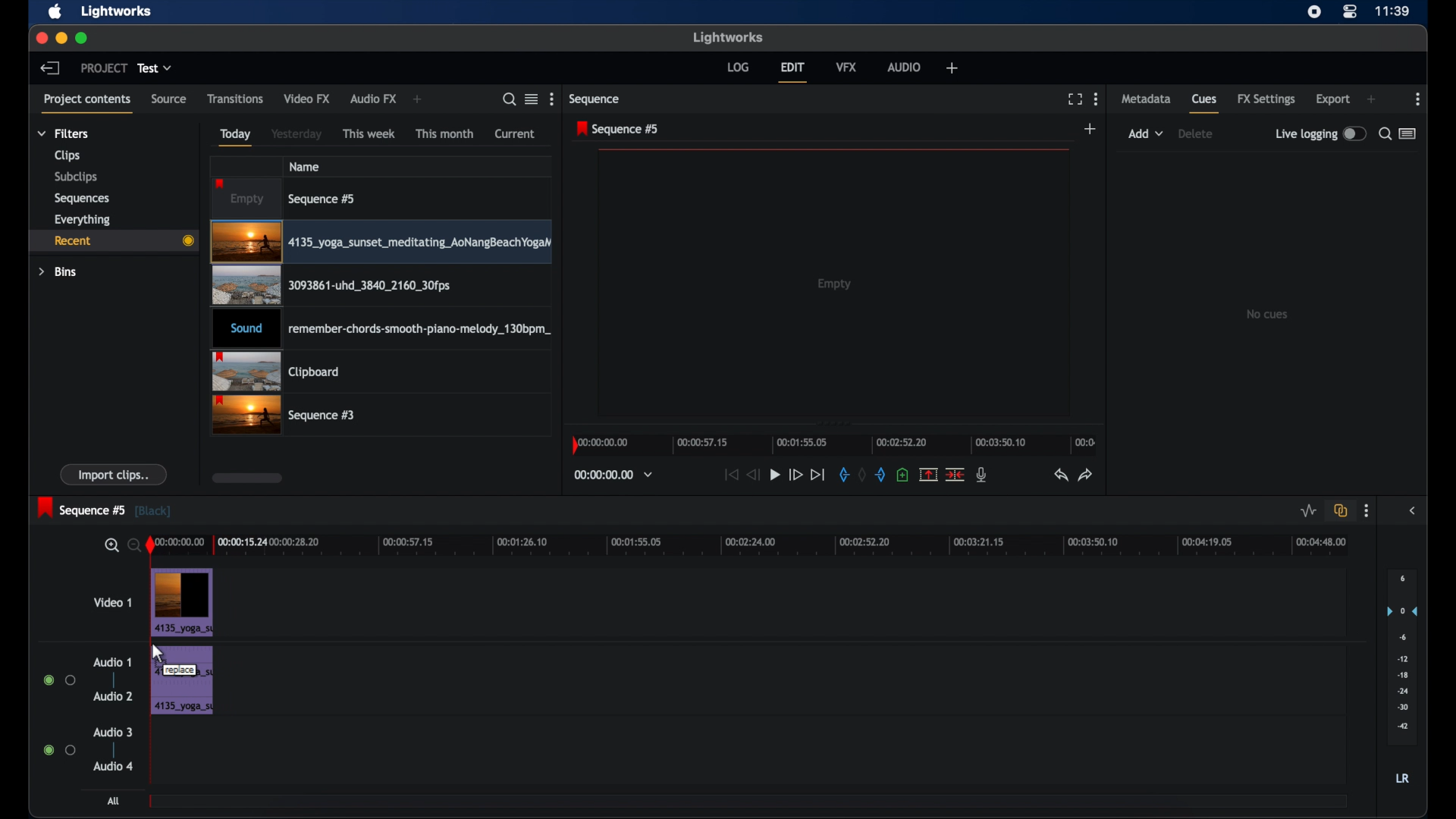 This screenshot has height=819, width=1456. What do you see at coordinates (983, 475) in the screenshot?
I see `mic` at bounding box center [983, 475].